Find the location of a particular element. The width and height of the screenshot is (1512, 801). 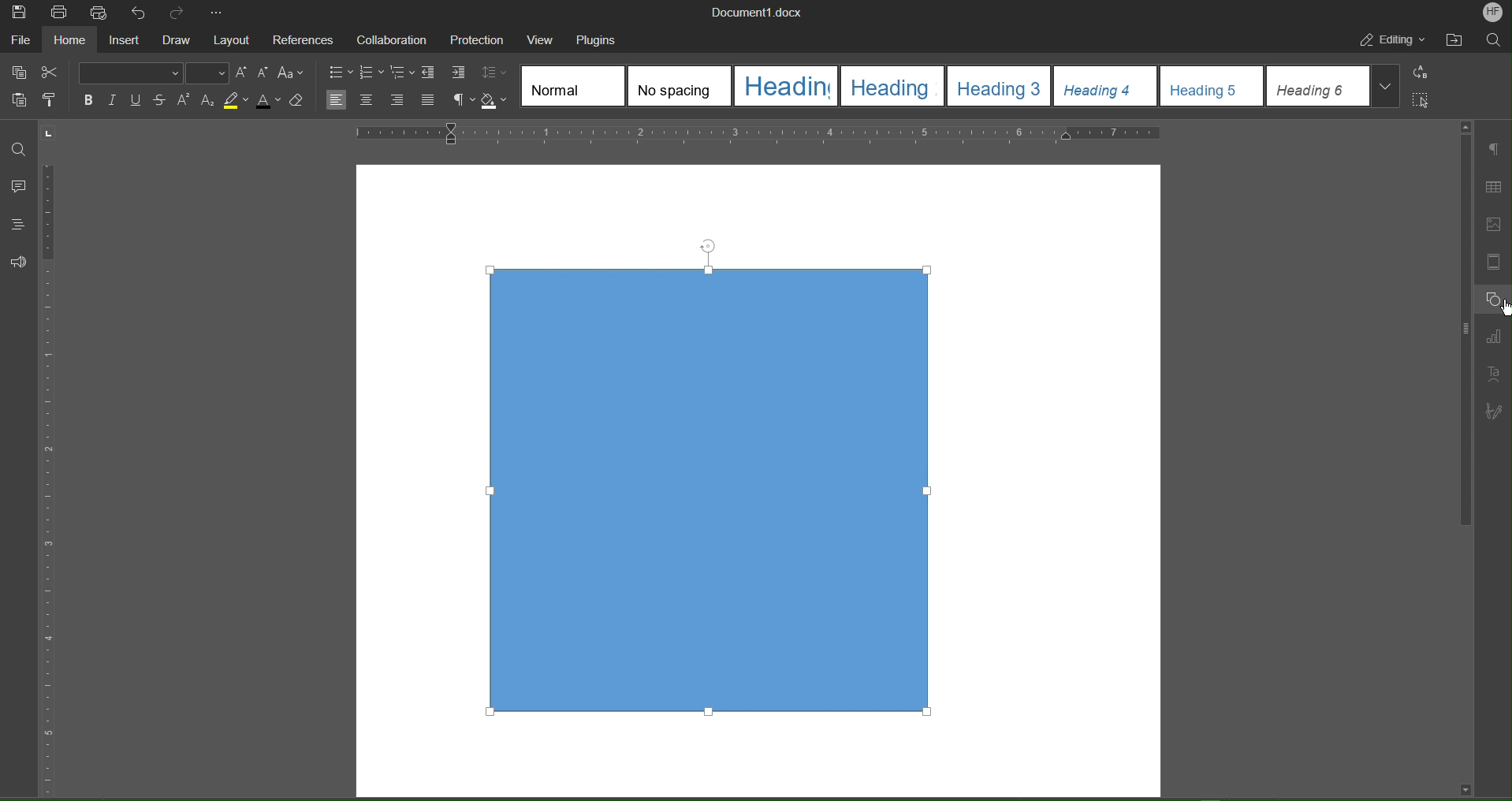

Strikethrough is located at coordinates (162, 101).